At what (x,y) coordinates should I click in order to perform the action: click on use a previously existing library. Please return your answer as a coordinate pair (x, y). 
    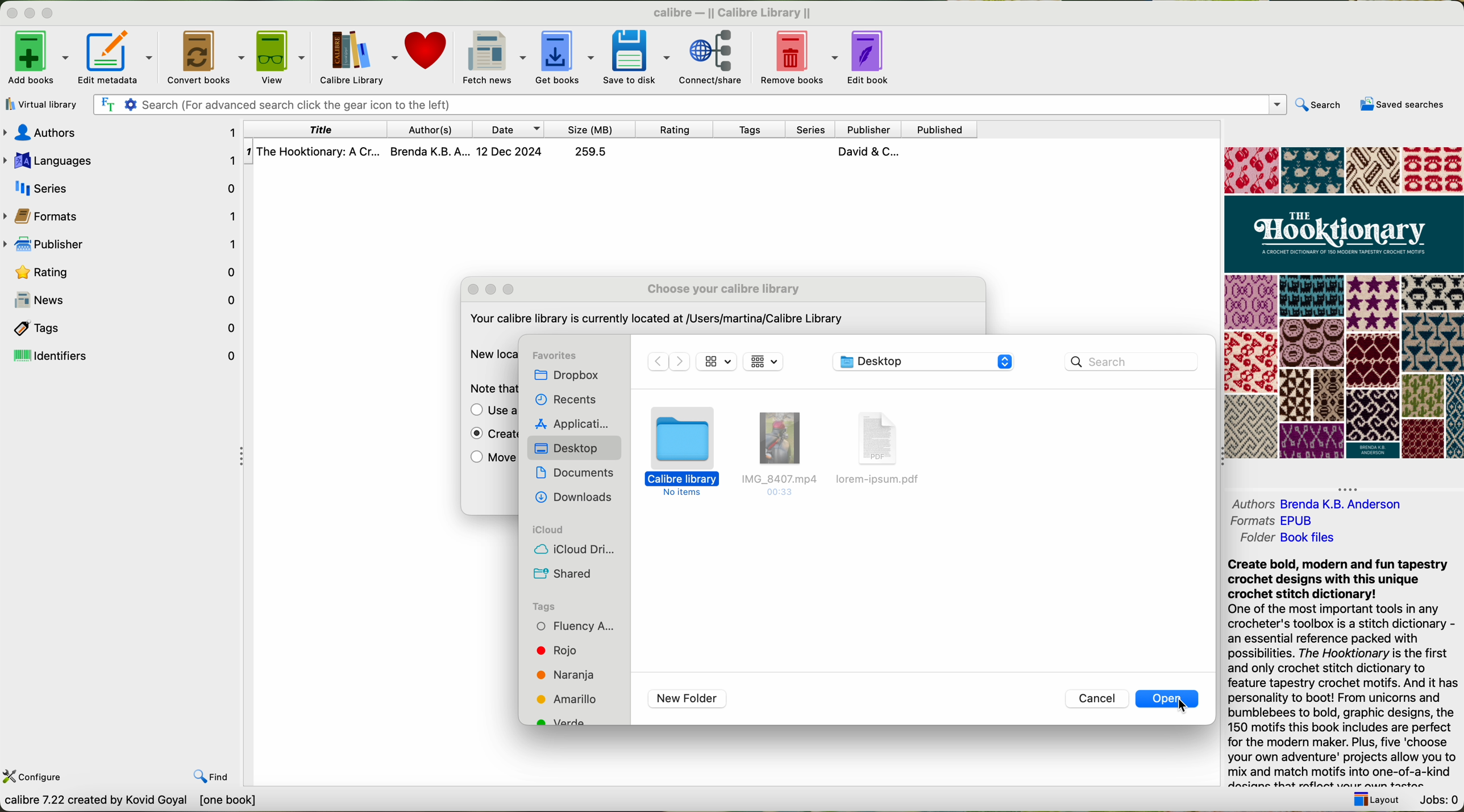
    Looking at the image, I should click on (491, 410).